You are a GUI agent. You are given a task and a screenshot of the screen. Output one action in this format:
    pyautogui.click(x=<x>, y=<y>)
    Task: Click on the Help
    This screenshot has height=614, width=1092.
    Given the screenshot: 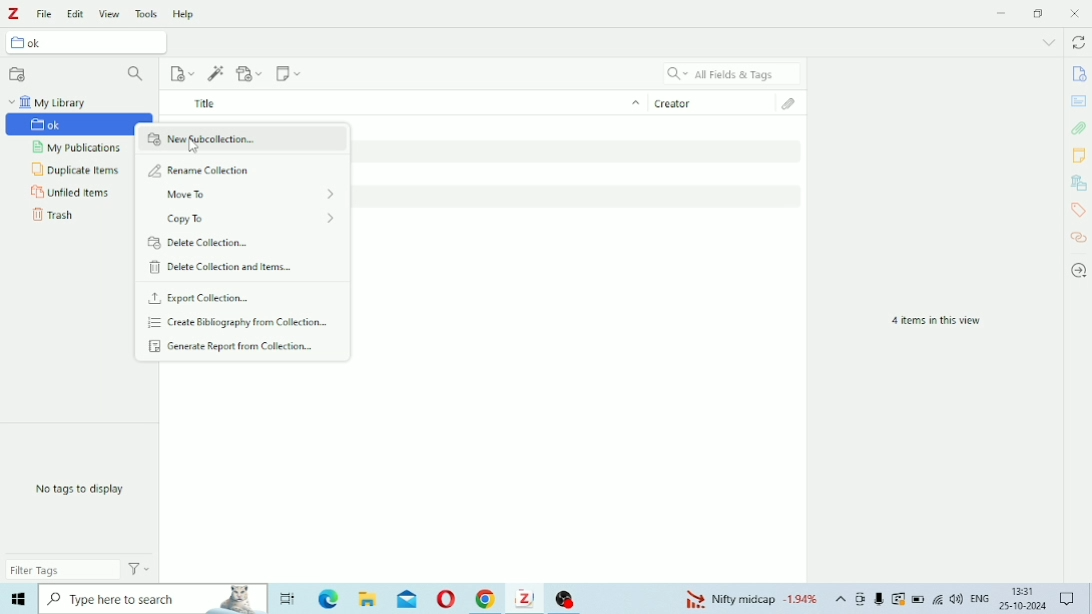 What is the action you would take?
    pyautogui.click(x=184, y=13)
    